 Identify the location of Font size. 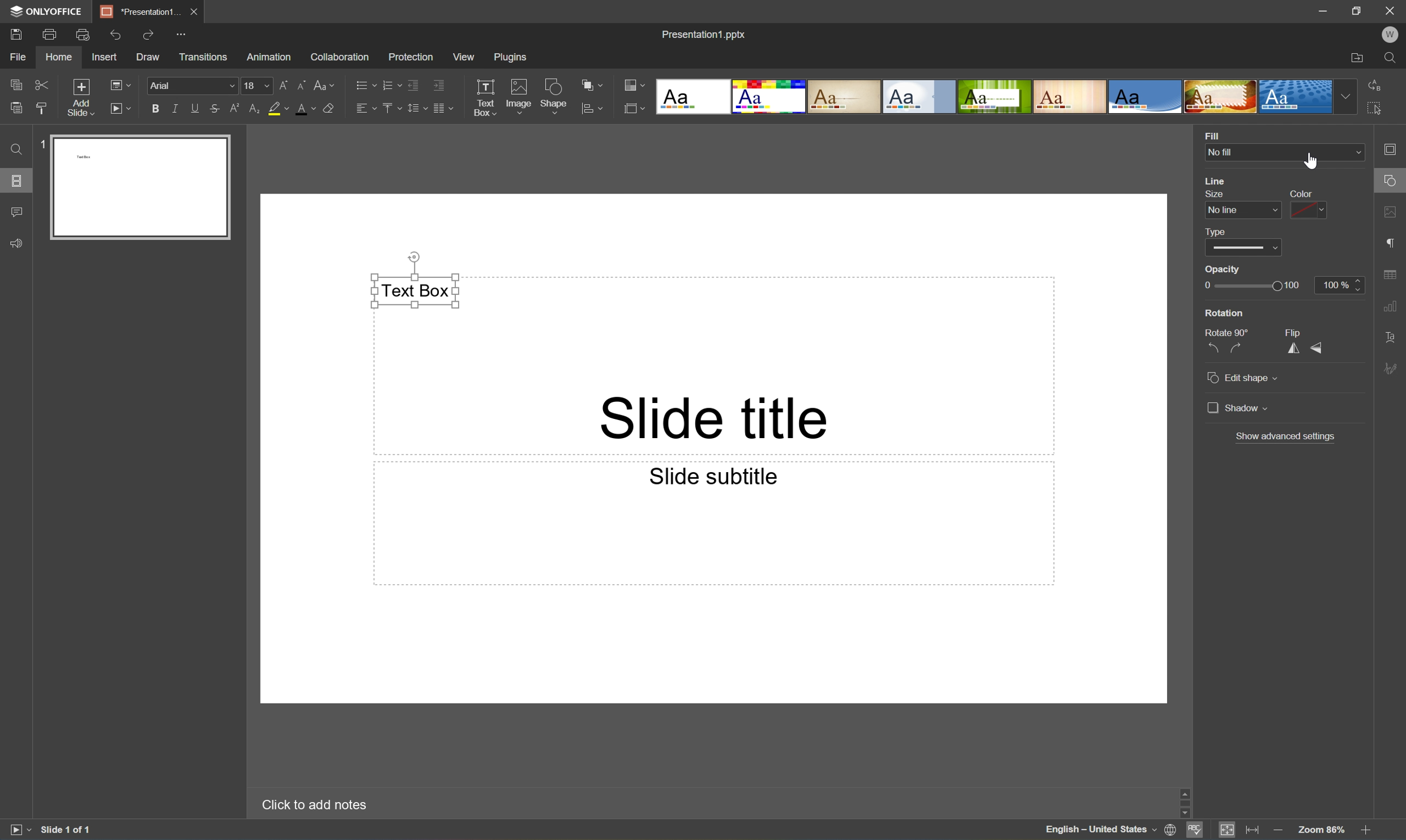
(257, 84).